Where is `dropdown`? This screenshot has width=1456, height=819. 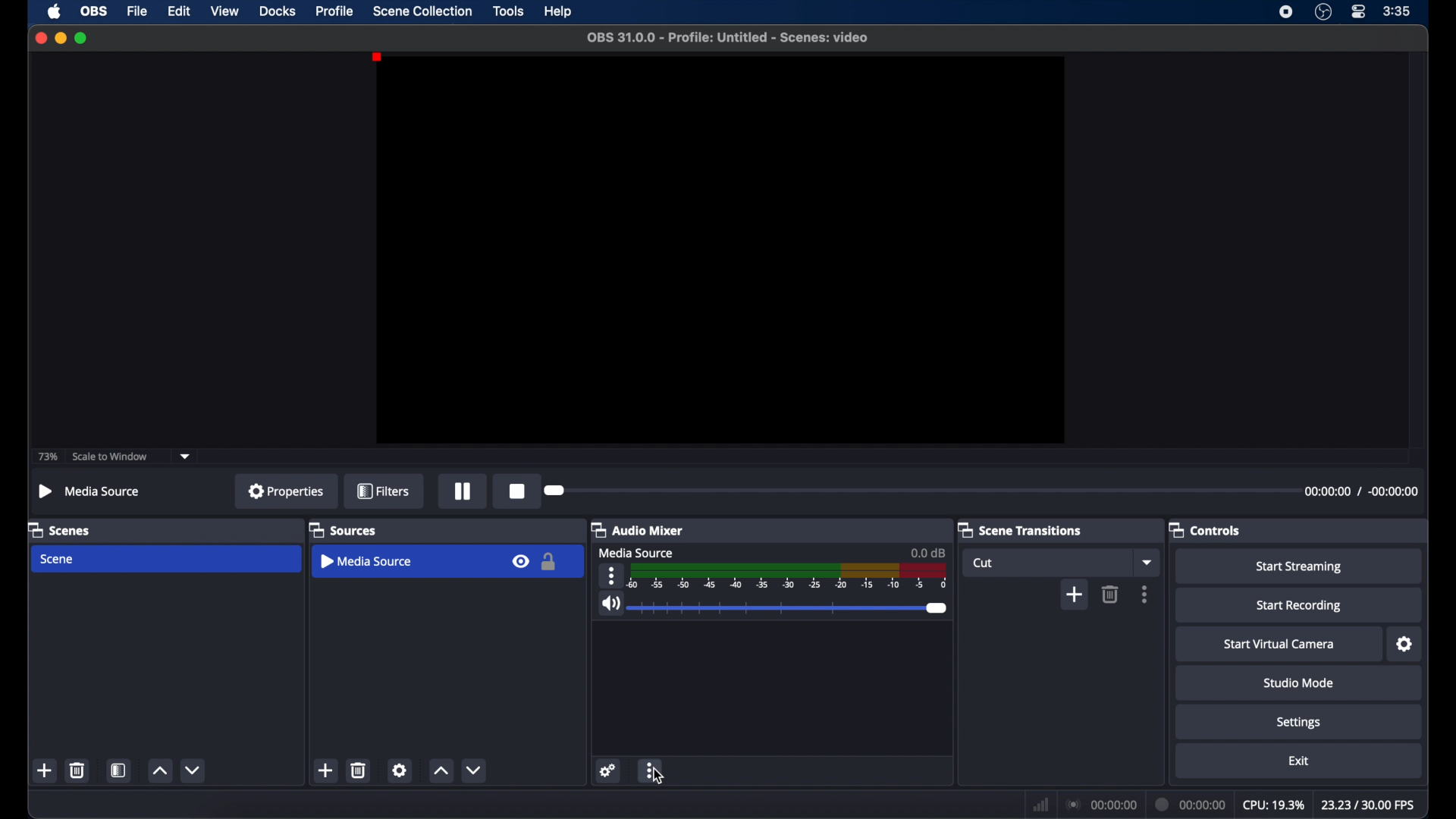 dropdown is located at coordinates (1147, 561).